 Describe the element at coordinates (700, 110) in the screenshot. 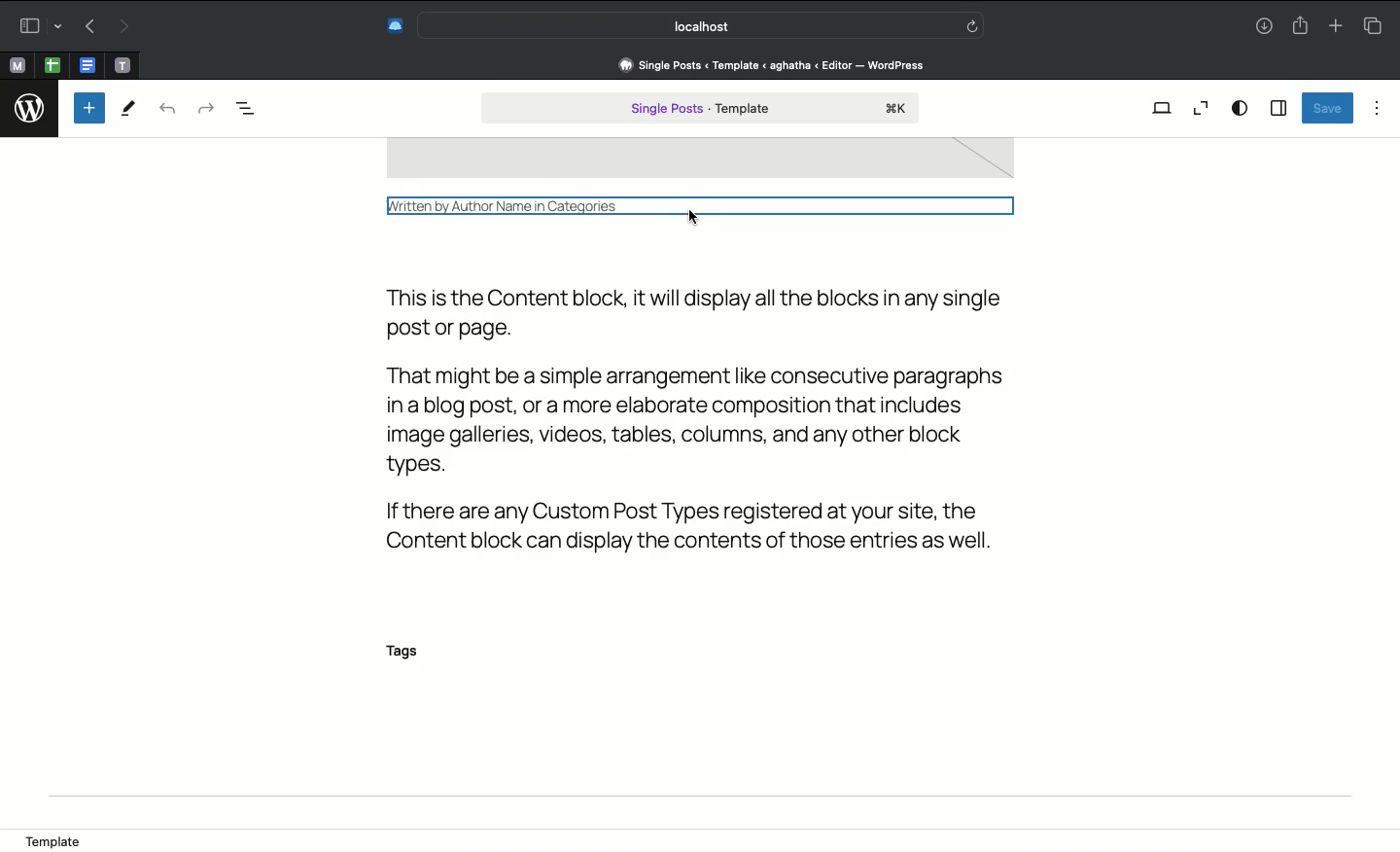

I see `Single post template` at that location.